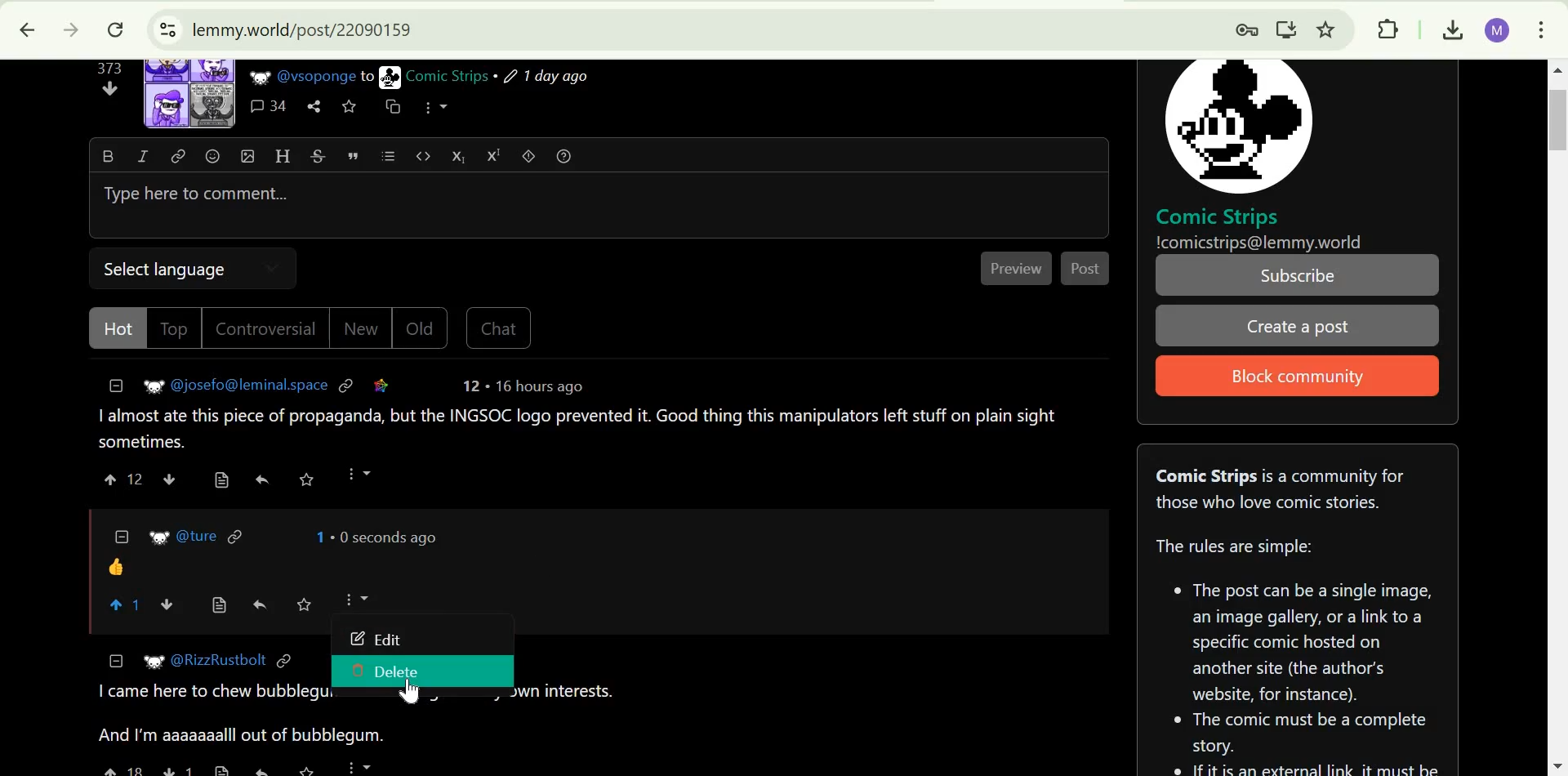 Image resolution: width=1568 pixels, height=776 pixels. What do you see at coordinates (529, 155) in the screenshot?
I see `spoiler` at bounding box center [529, 155].